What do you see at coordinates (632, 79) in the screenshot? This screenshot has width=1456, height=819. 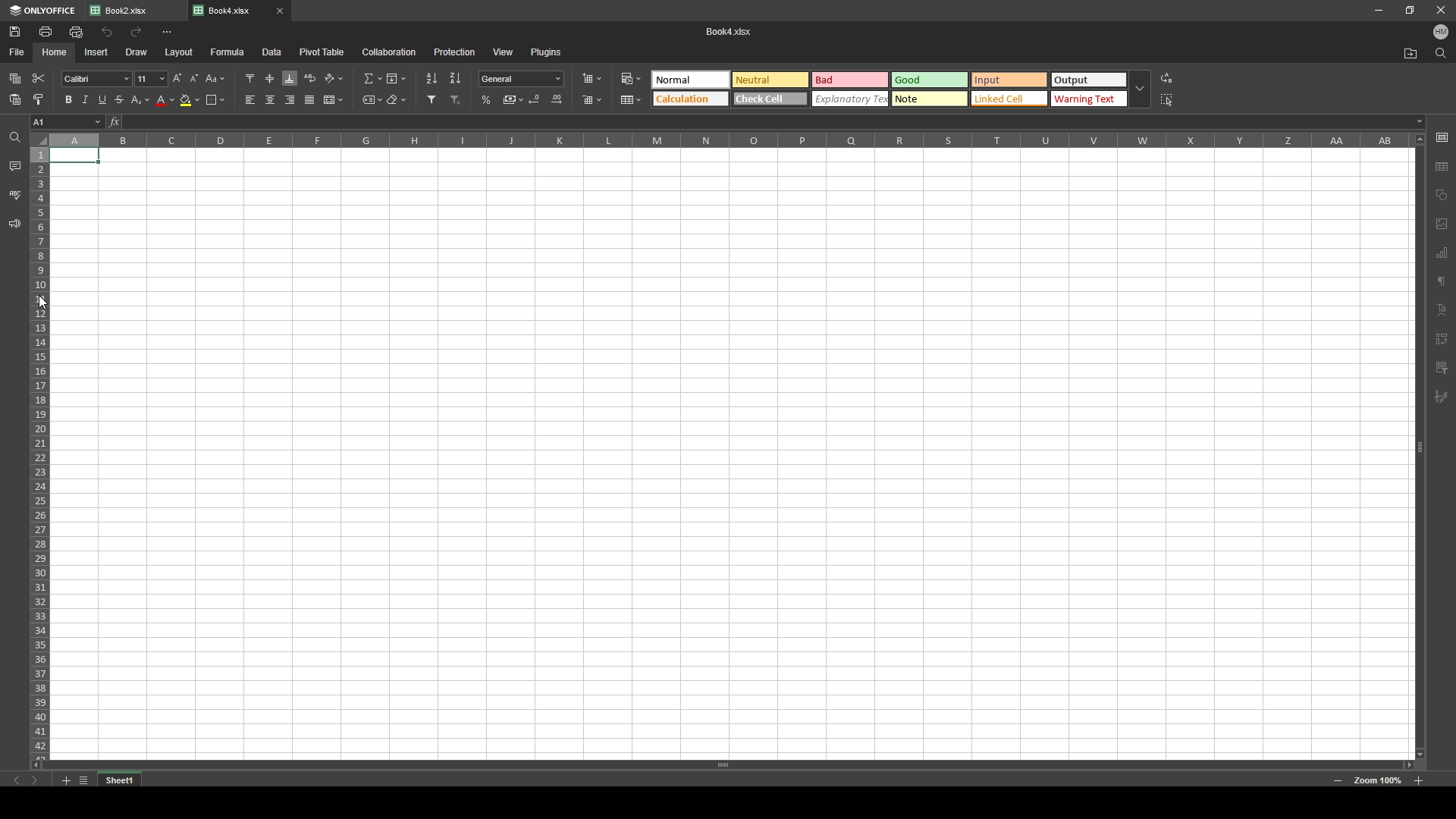 I see `conditional formatting` at bounding box center [632, 79].